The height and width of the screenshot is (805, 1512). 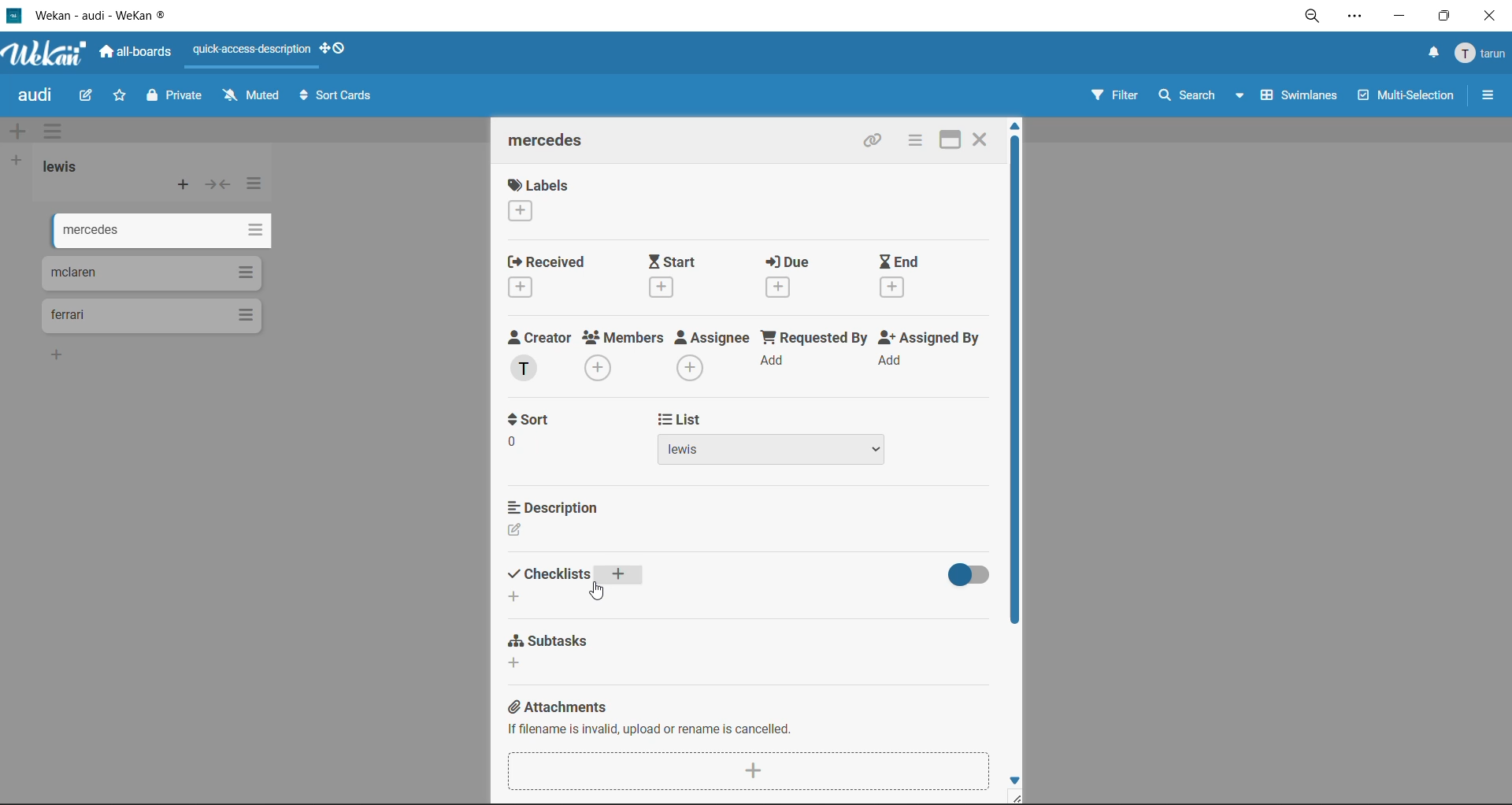 I want to click on cards, so click(x=154, y=228).